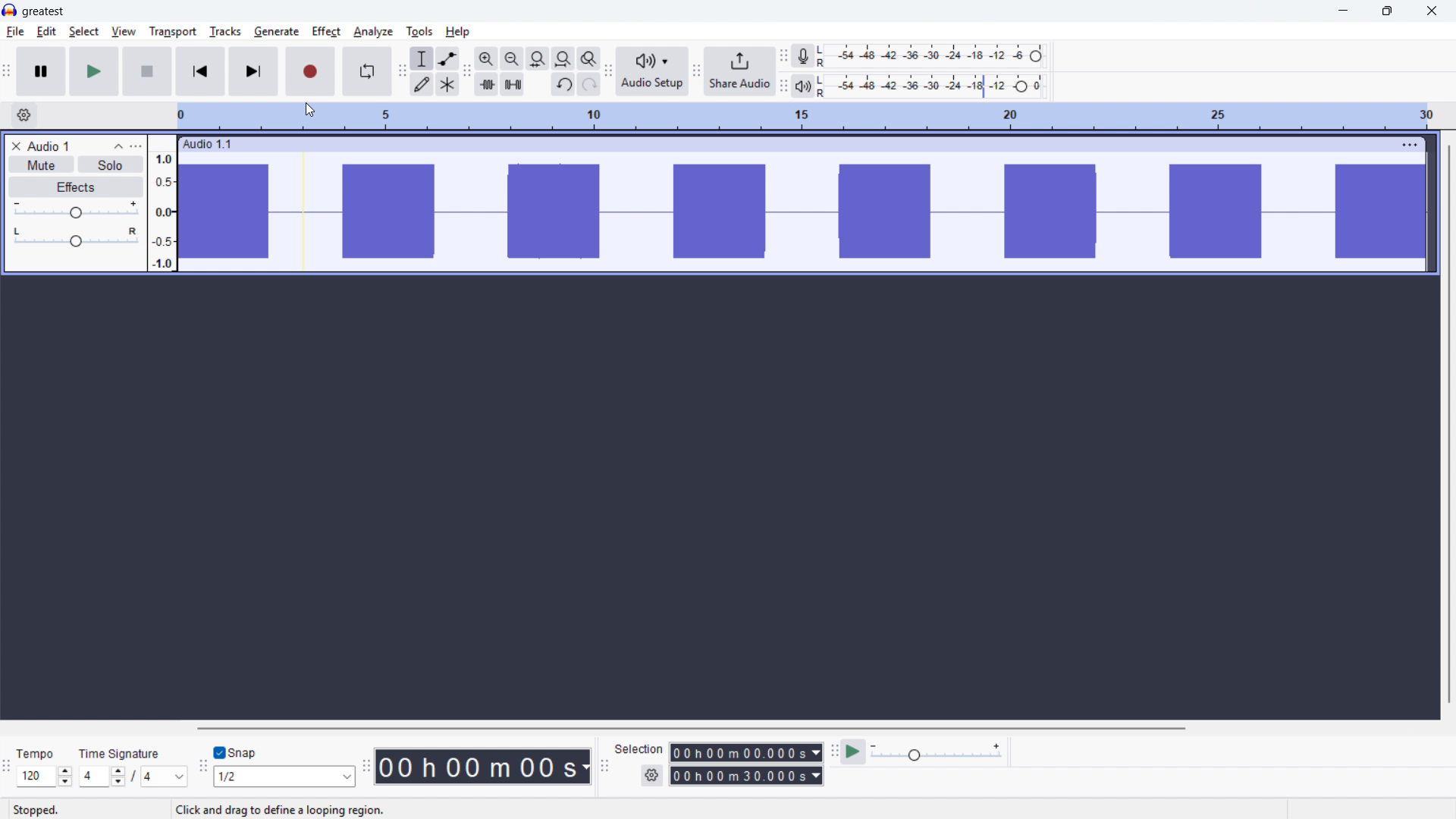 The image size is (1456, 819). Describe the element at coordinates (44, 777) in the screenshot. I see `Set tempo ` at that location.